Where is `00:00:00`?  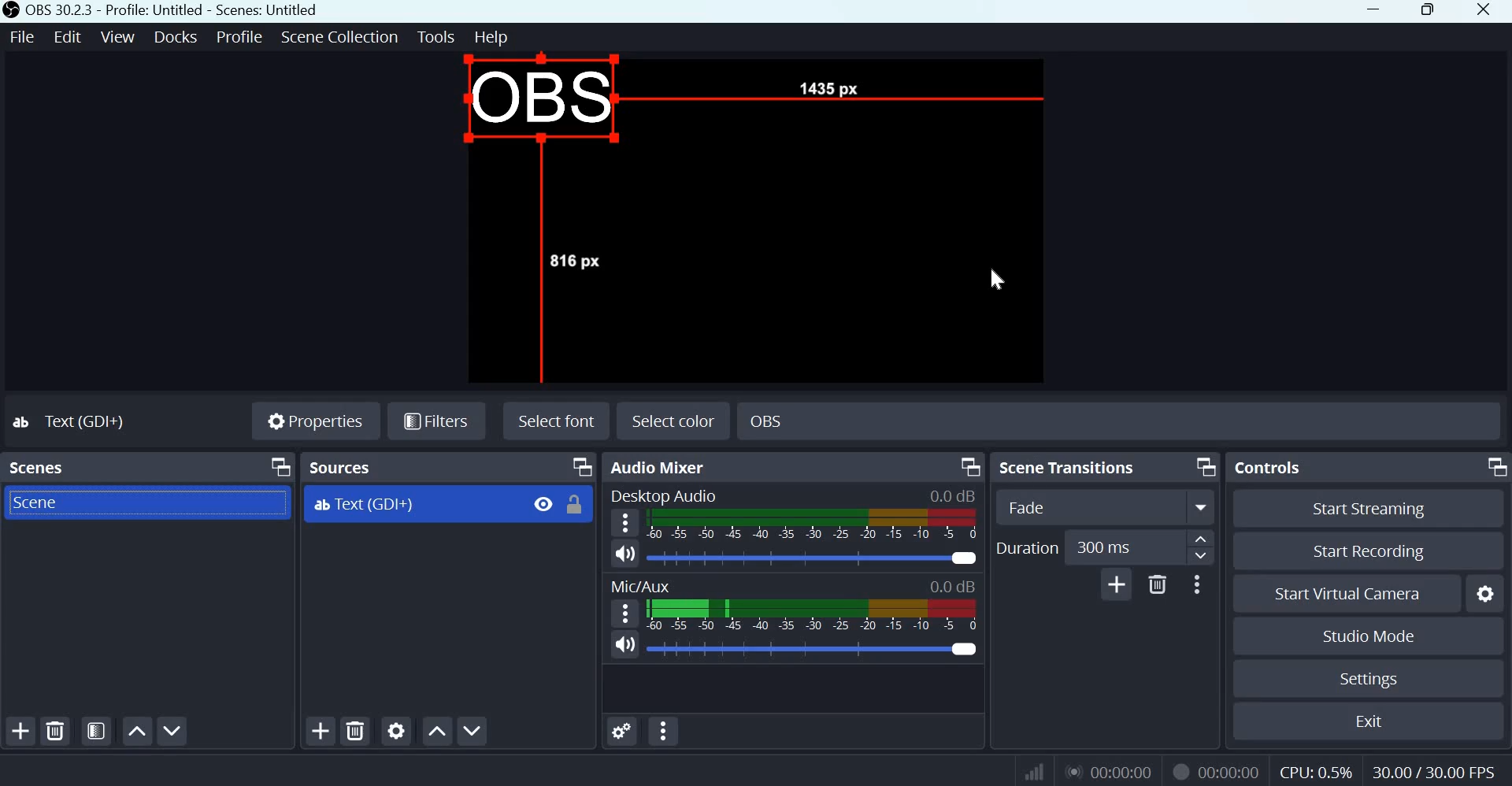 00:00:00 is located at coordinates (1106, 771).